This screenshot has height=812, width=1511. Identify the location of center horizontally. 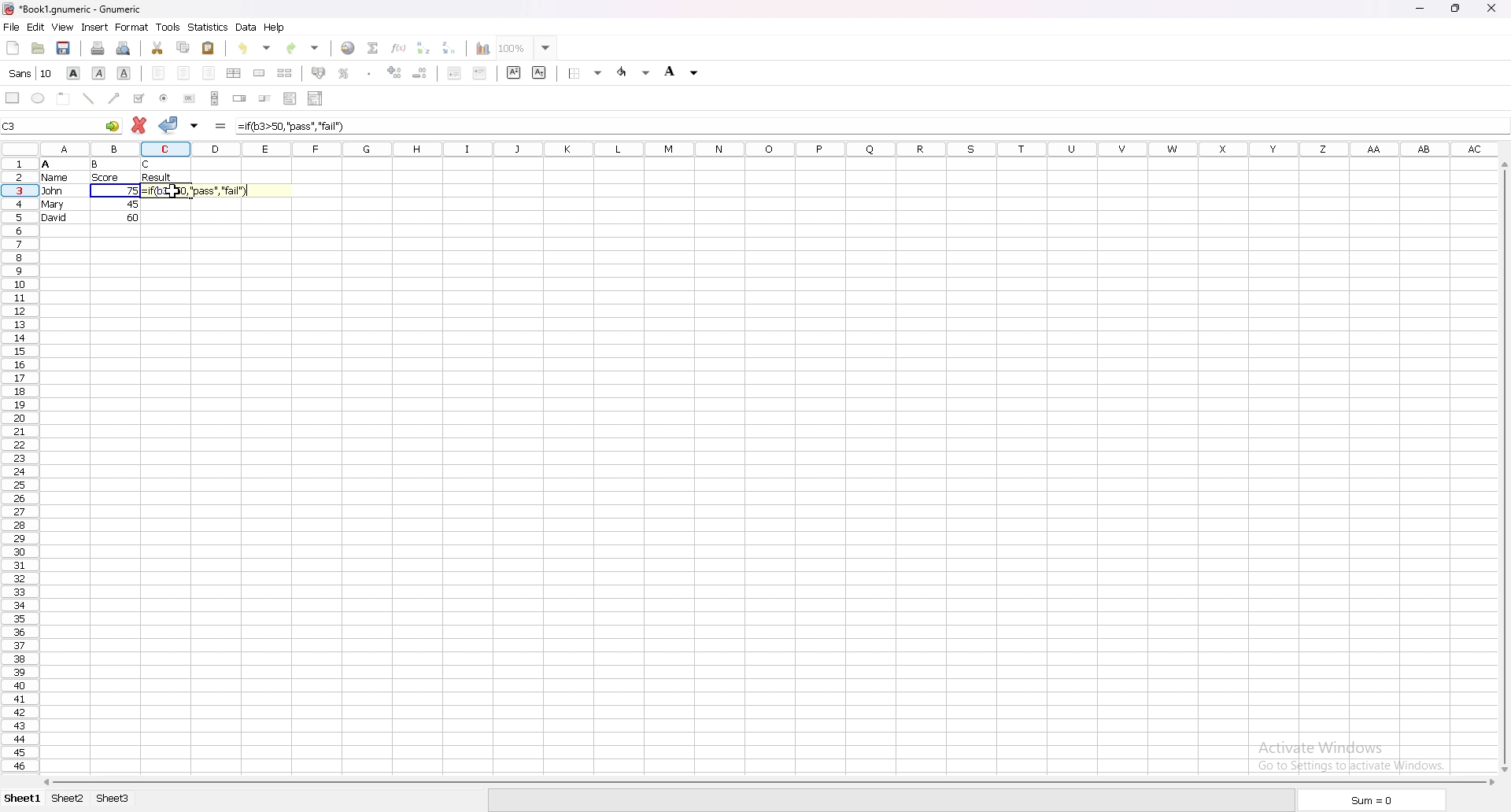
(234, 74).